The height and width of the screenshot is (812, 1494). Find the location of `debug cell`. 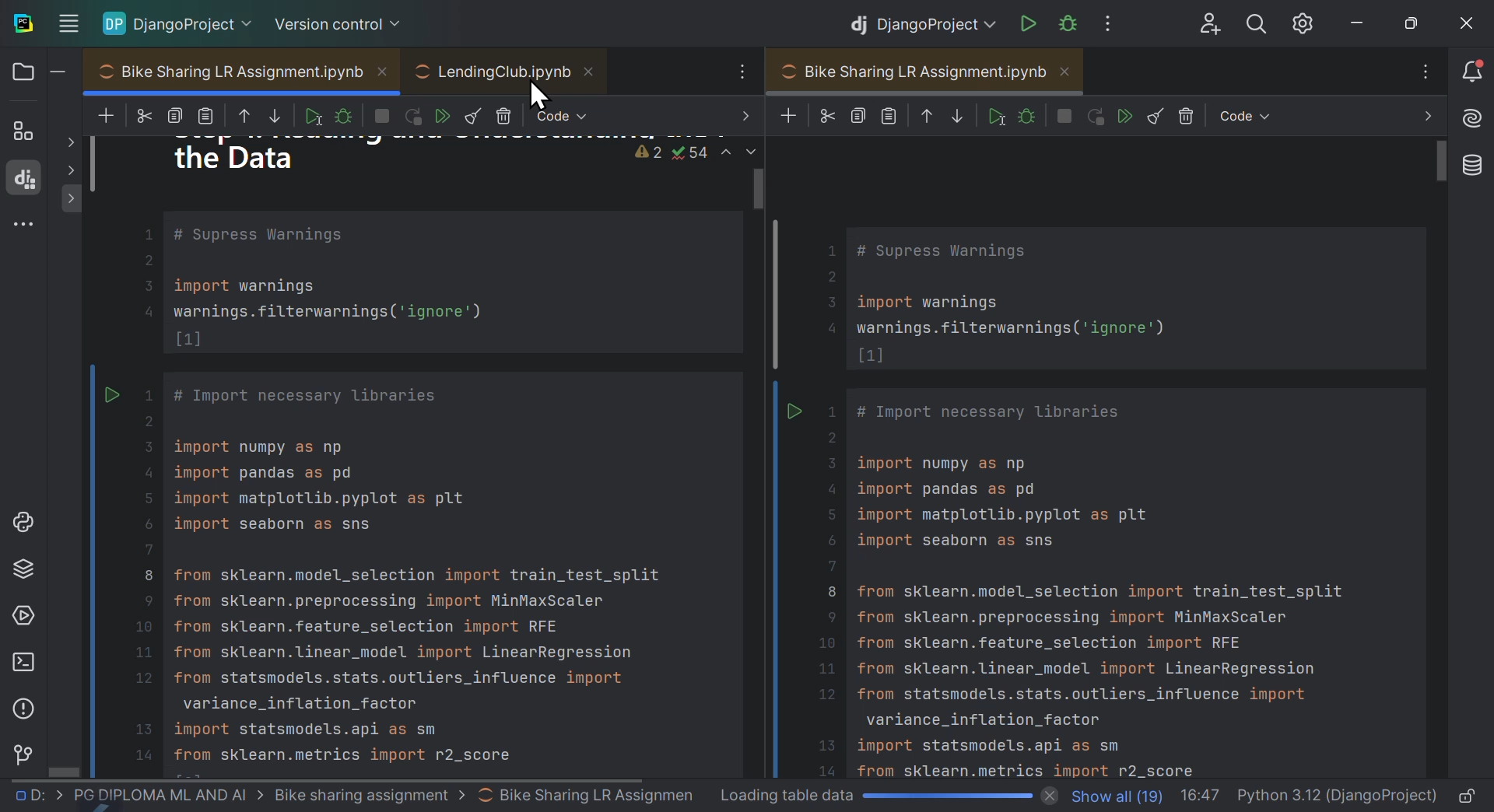

debug cell is located at coordinates (1025, 115).